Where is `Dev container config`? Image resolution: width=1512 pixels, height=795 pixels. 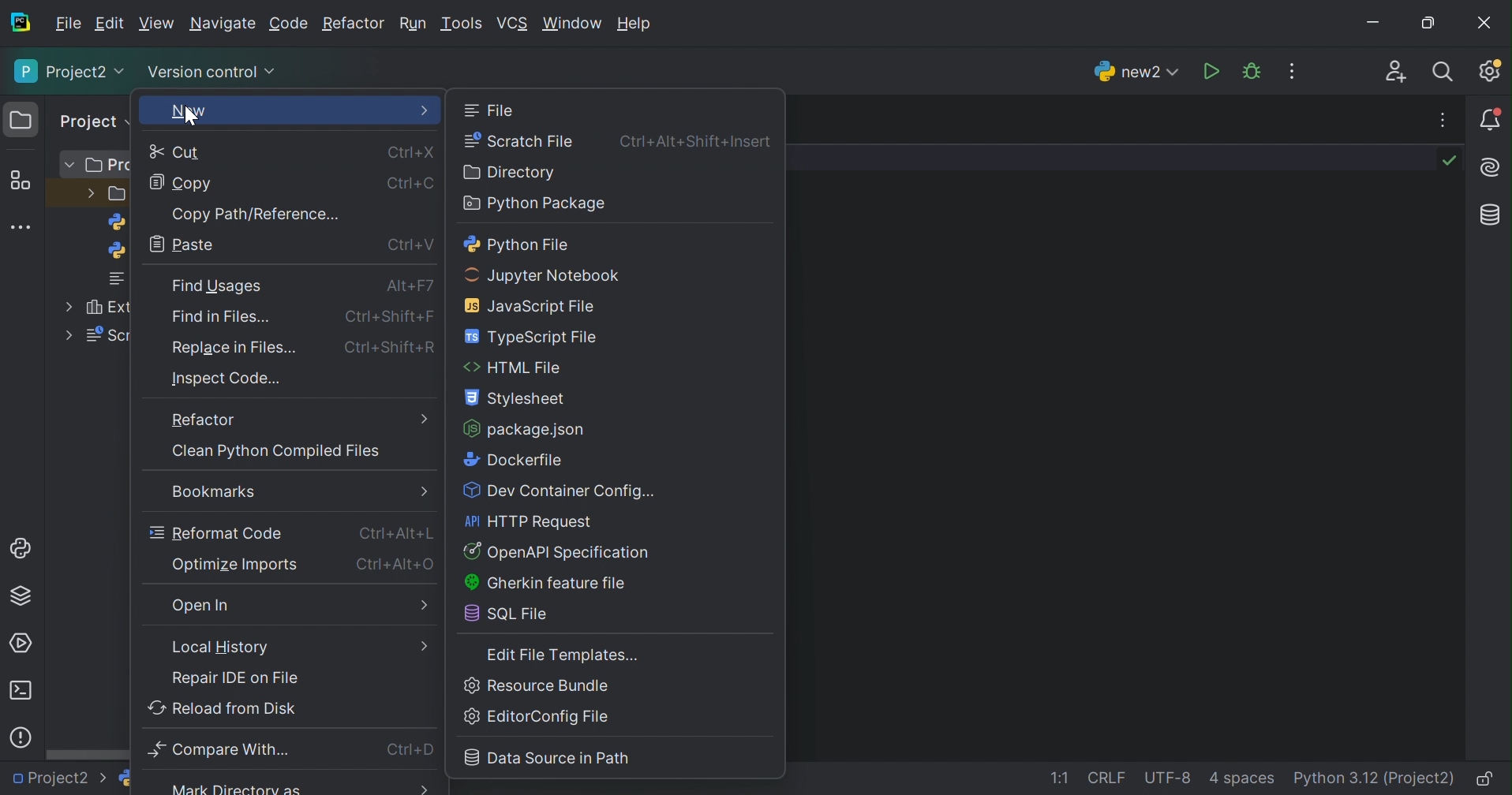
Dev container config is located at coordinates (566, 492).